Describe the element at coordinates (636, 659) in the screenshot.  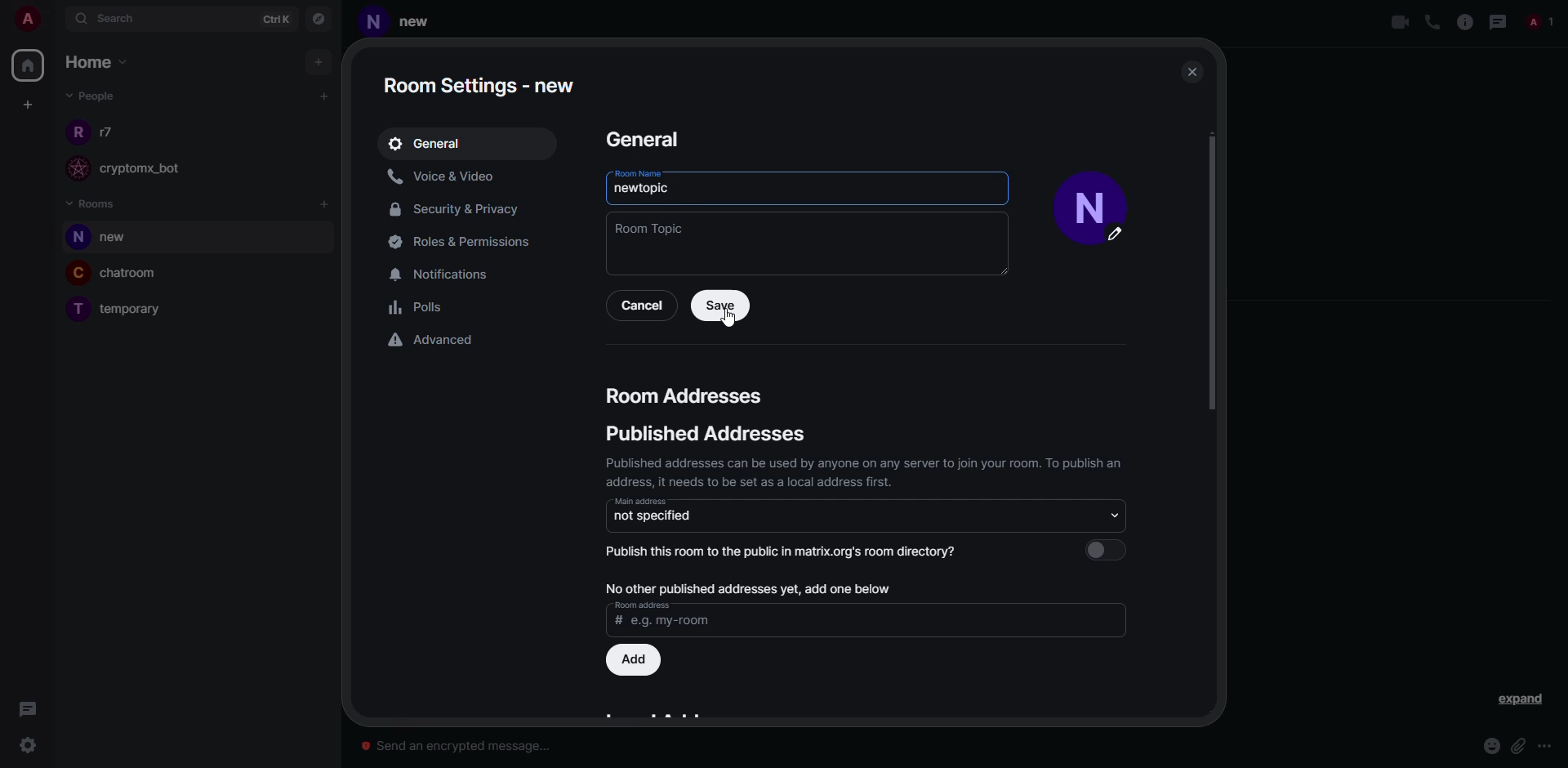
I see `add` at that location.